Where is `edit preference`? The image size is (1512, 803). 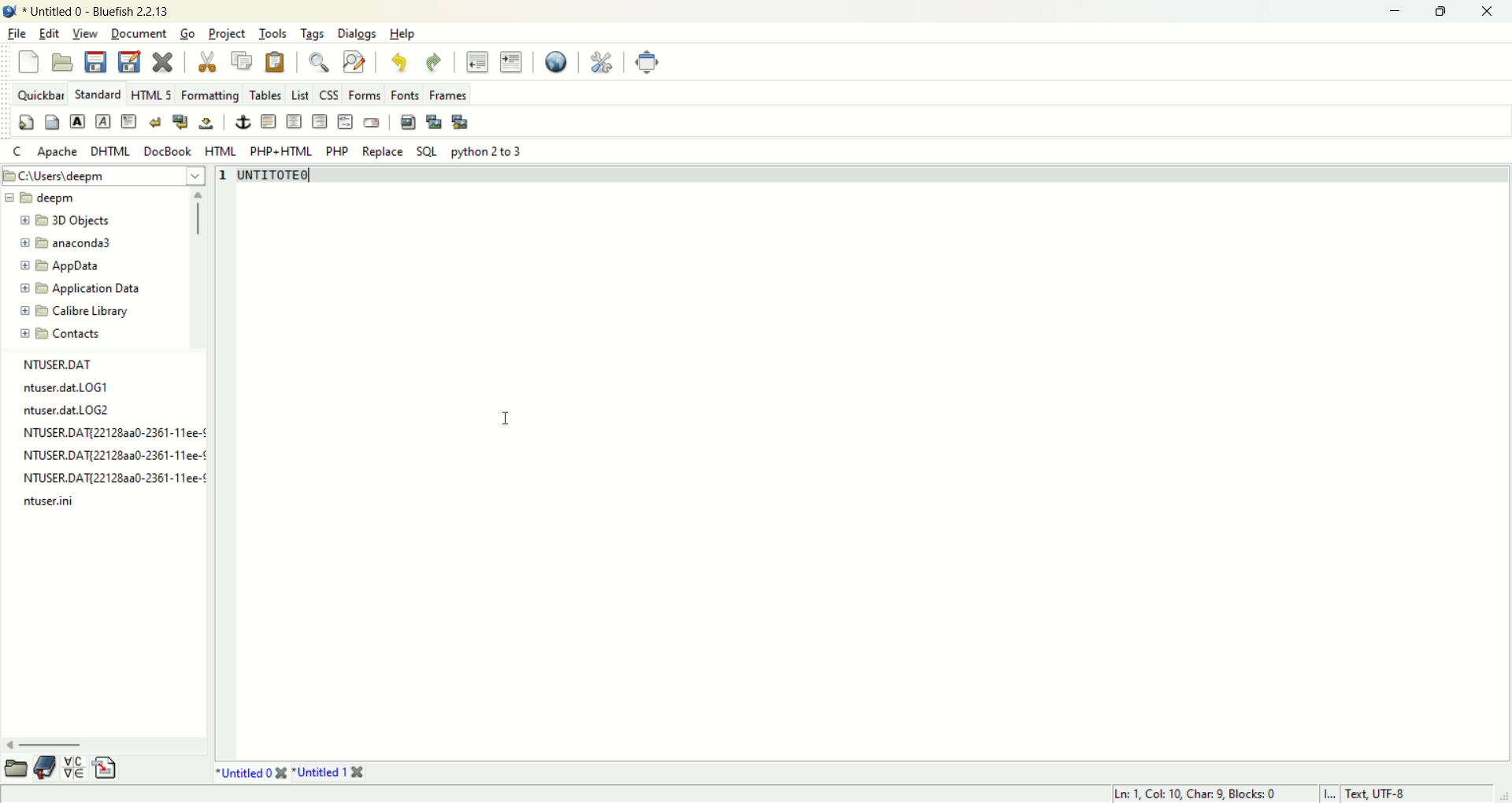
edit preference is located at coordinates (600, 61).